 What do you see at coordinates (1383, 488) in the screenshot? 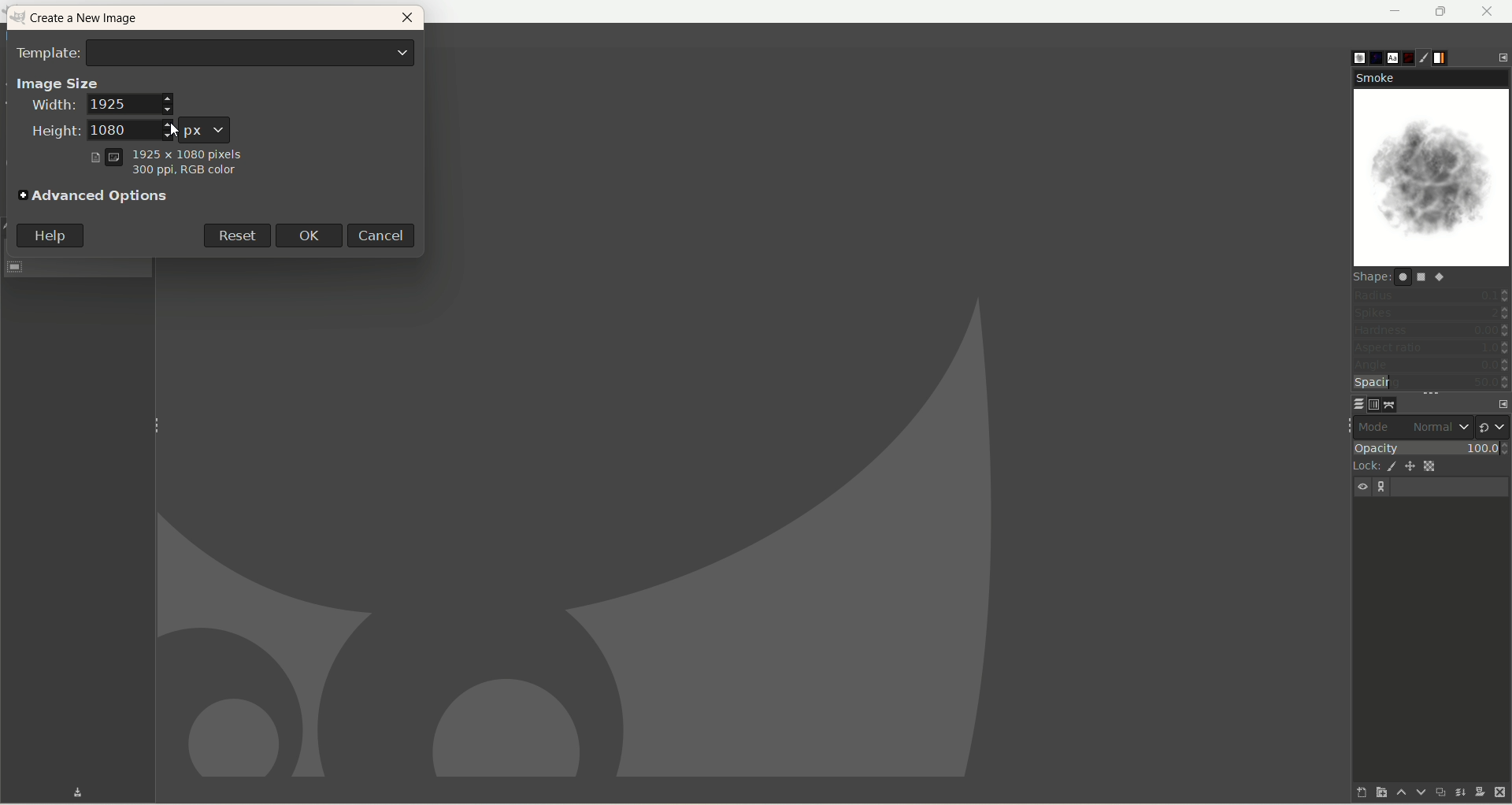
I see `link layer` at bounding box center [1383, 488].